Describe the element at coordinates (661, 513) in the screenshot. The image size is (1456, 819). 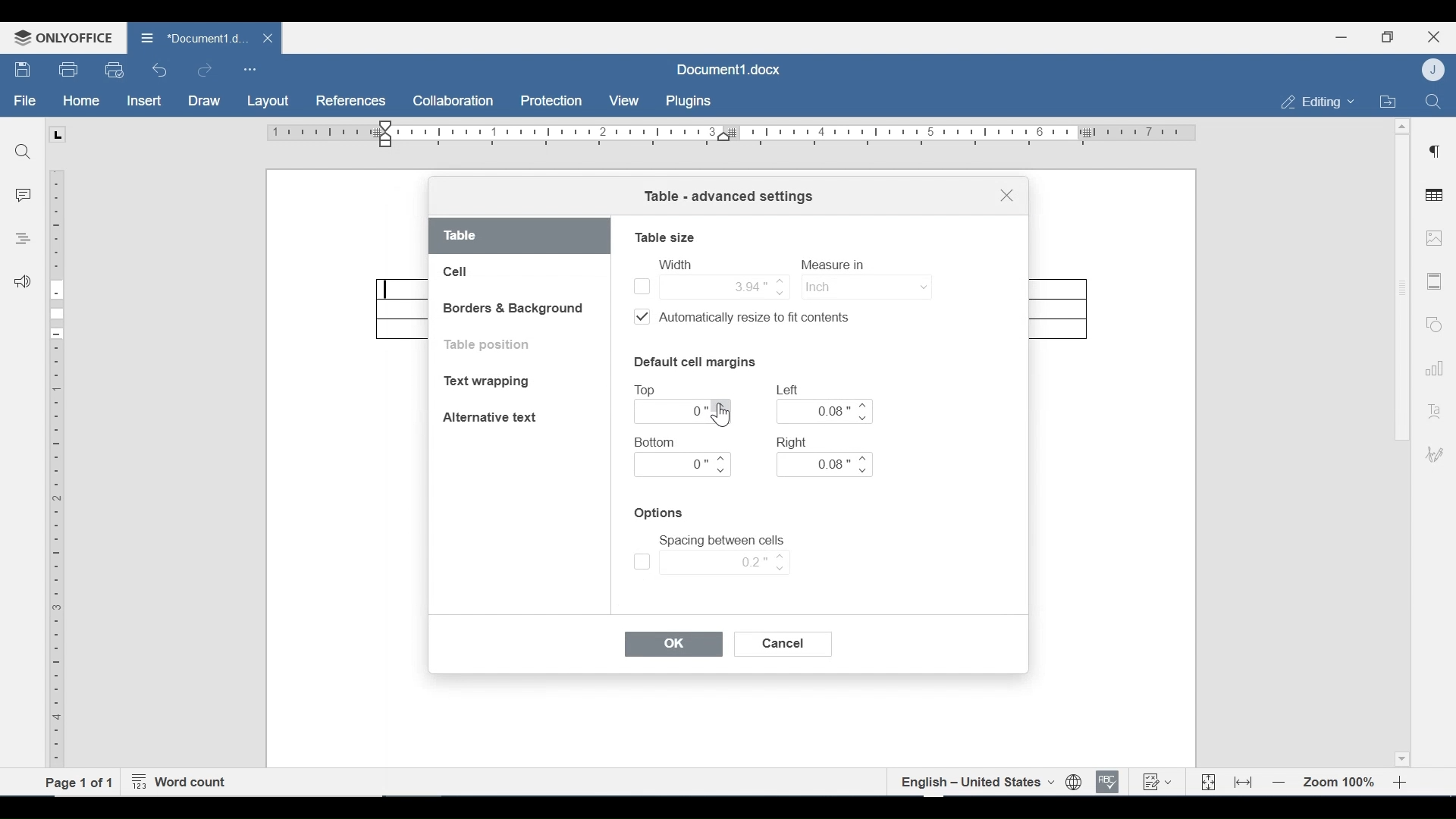
I see `Options` at that location.